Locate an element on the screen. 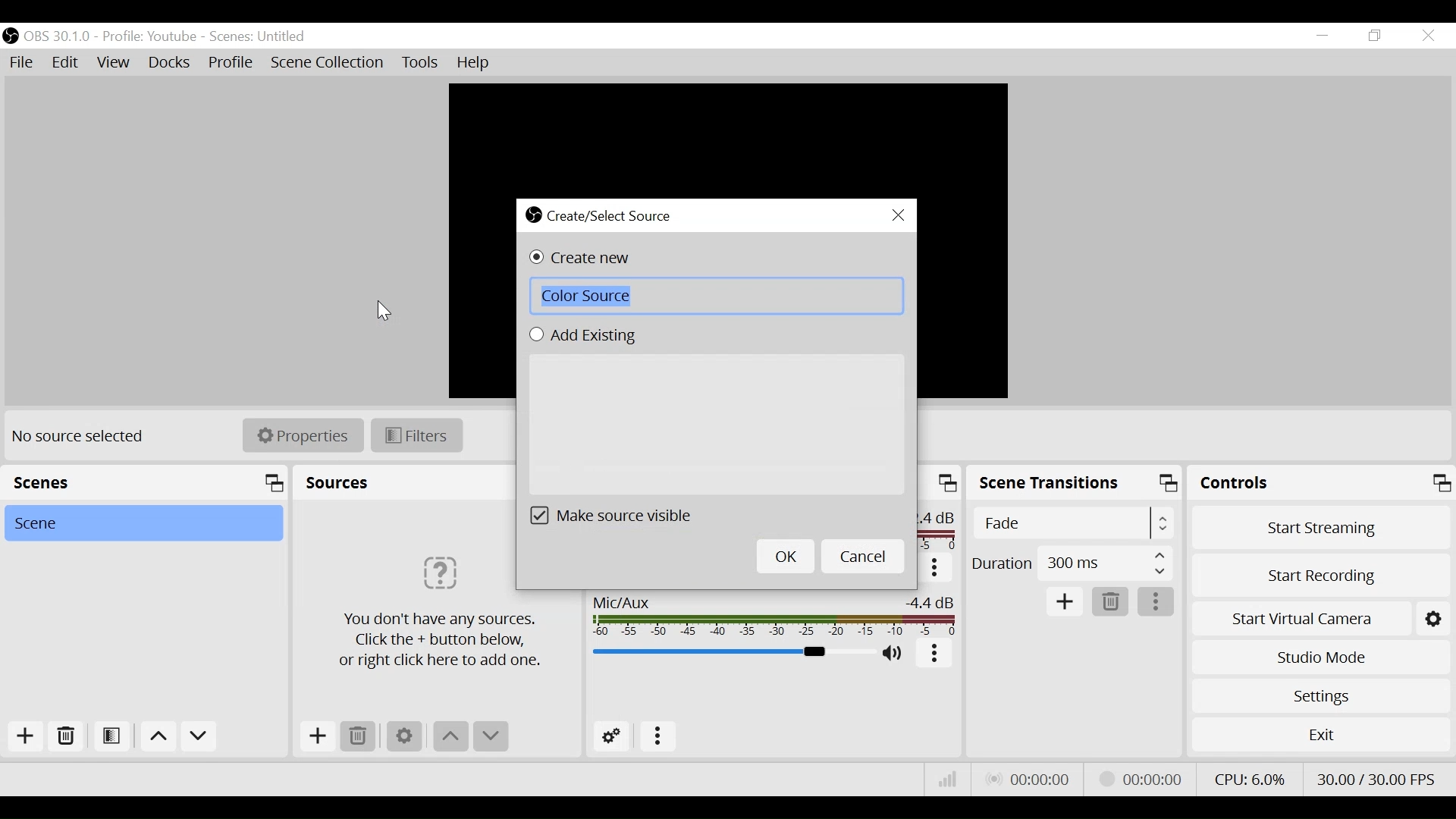 The height and width of the screenshot is (819, 1456). Studio Mode is located at coordinates (1320, 657).